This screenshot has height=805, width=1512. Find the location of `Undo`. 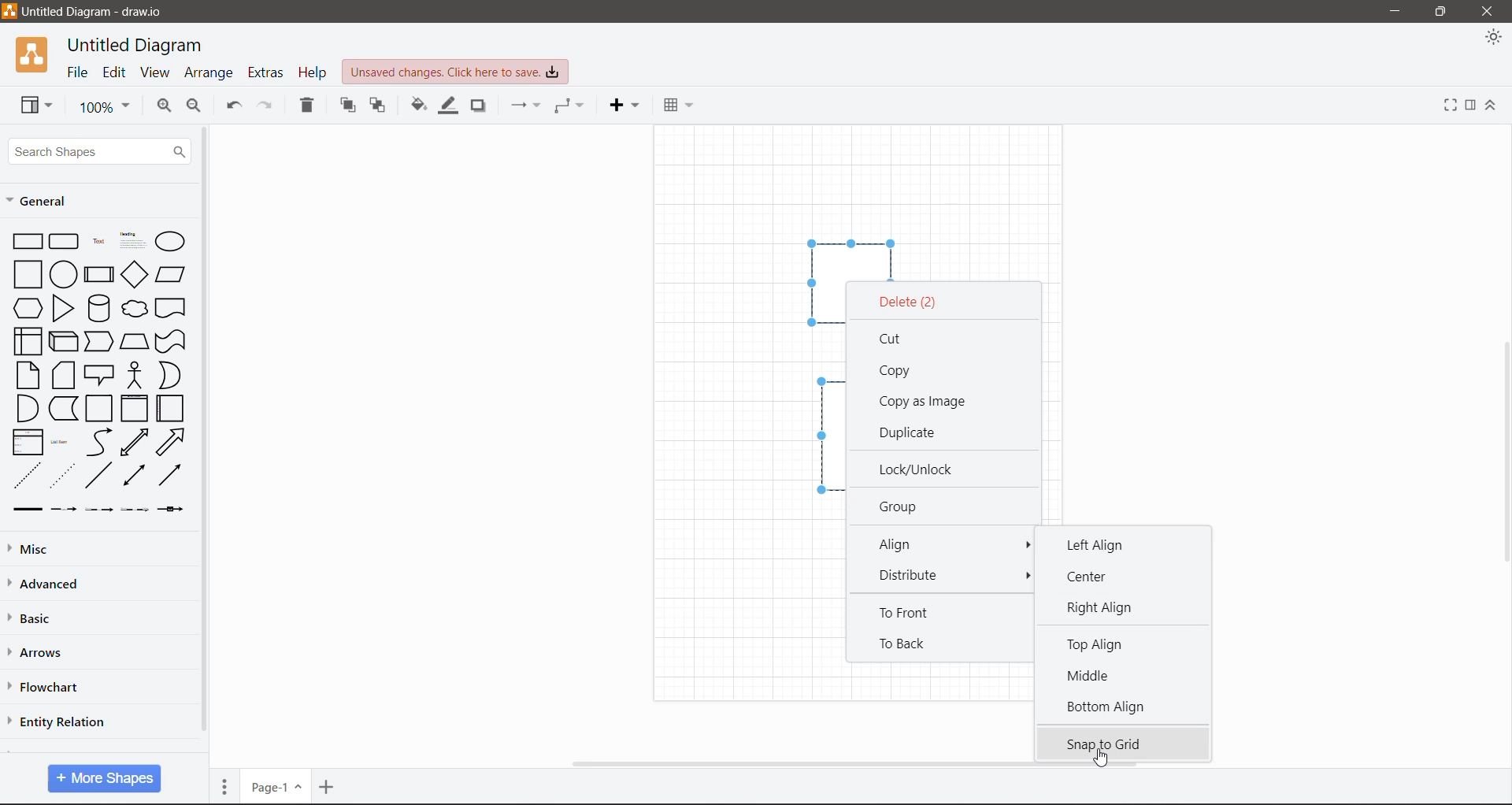

Undo is located at coordinates (234, 106).